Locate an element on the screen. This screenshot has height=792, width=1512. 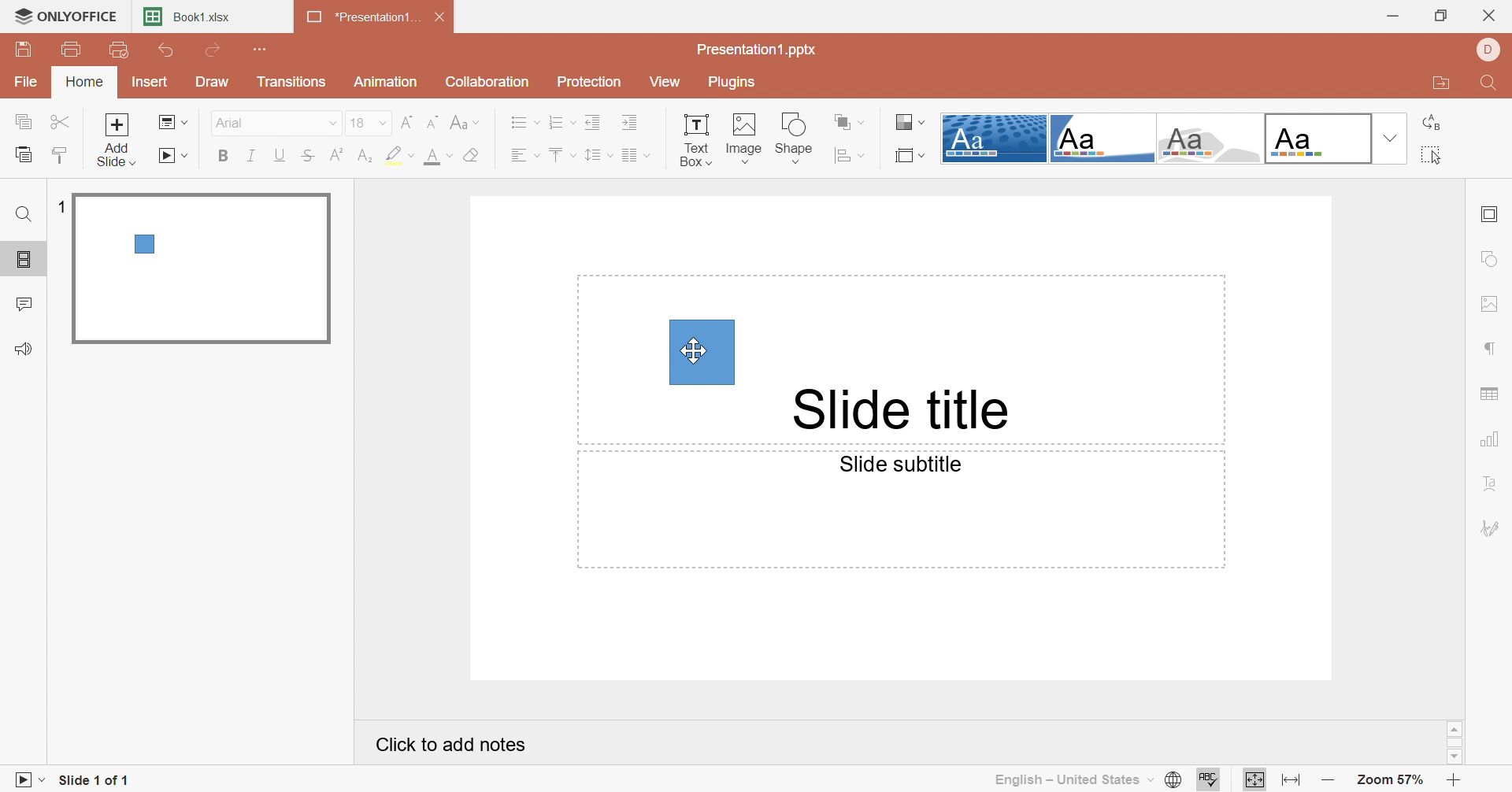
Slide subtitle is located at coordinates (908, 466).